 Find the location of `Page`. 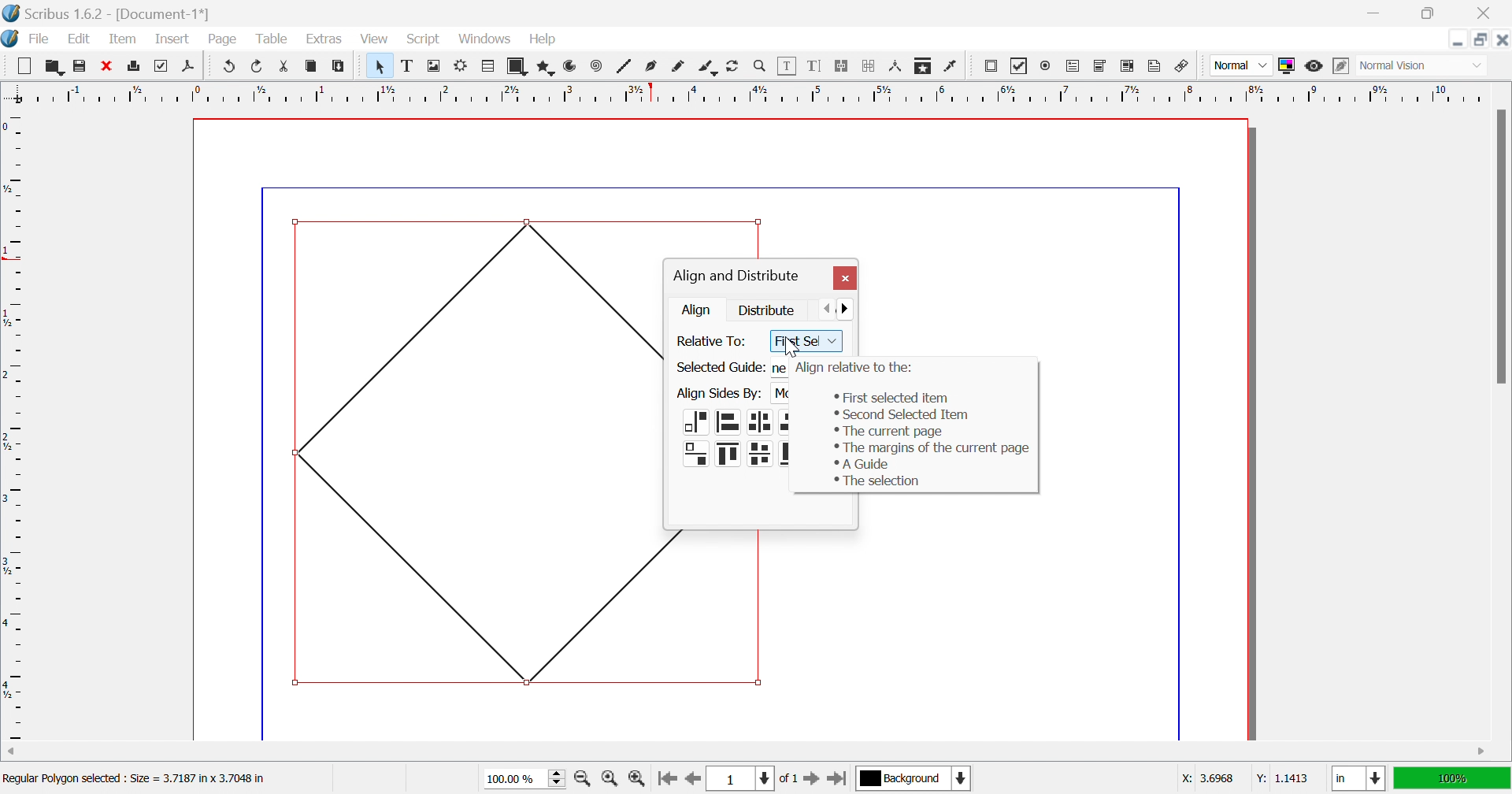

Page is located at coordinates (221, 39).